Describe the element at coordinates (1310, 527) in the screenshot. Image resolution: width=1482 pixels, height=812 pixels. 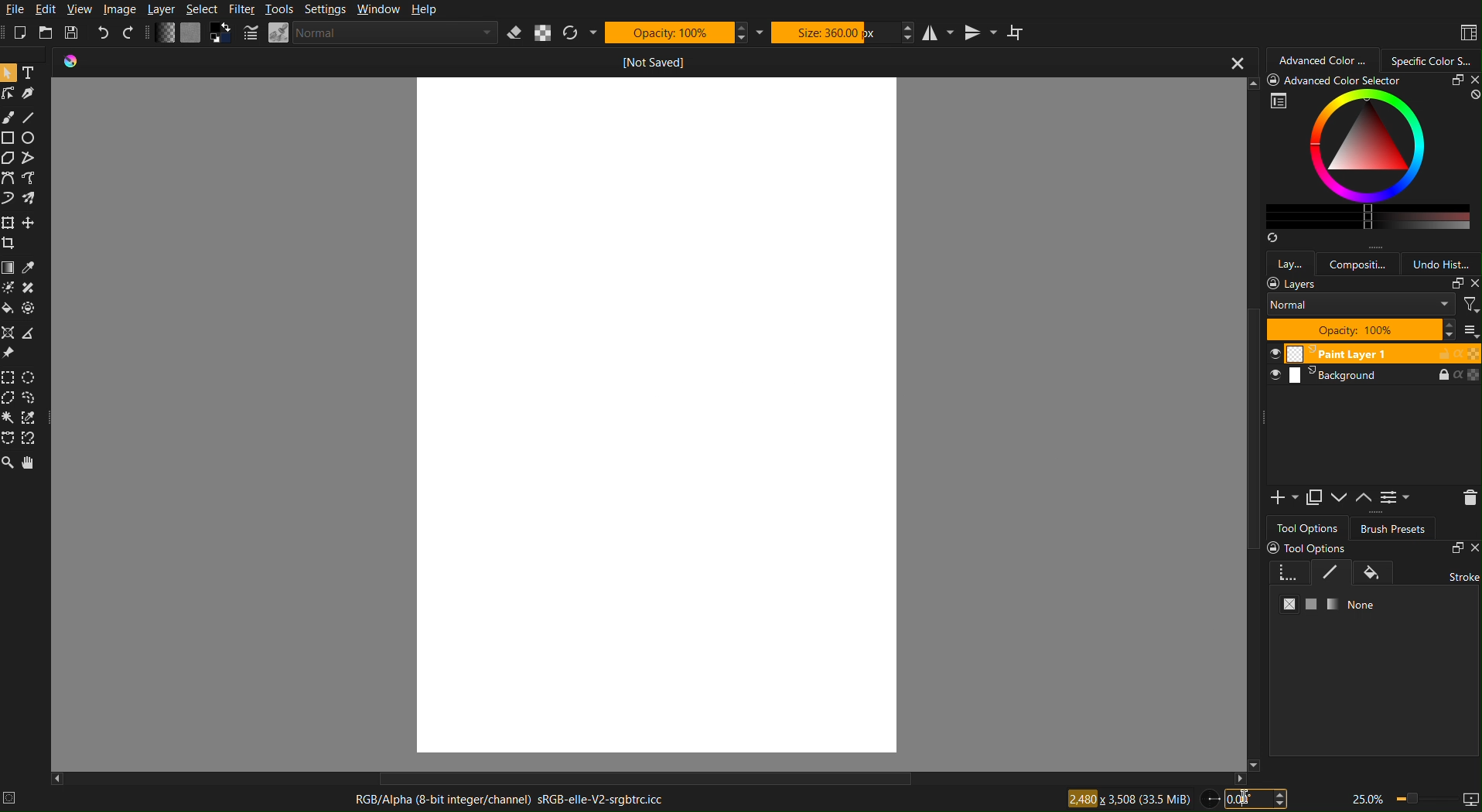
I see `Tool Options` at that location.